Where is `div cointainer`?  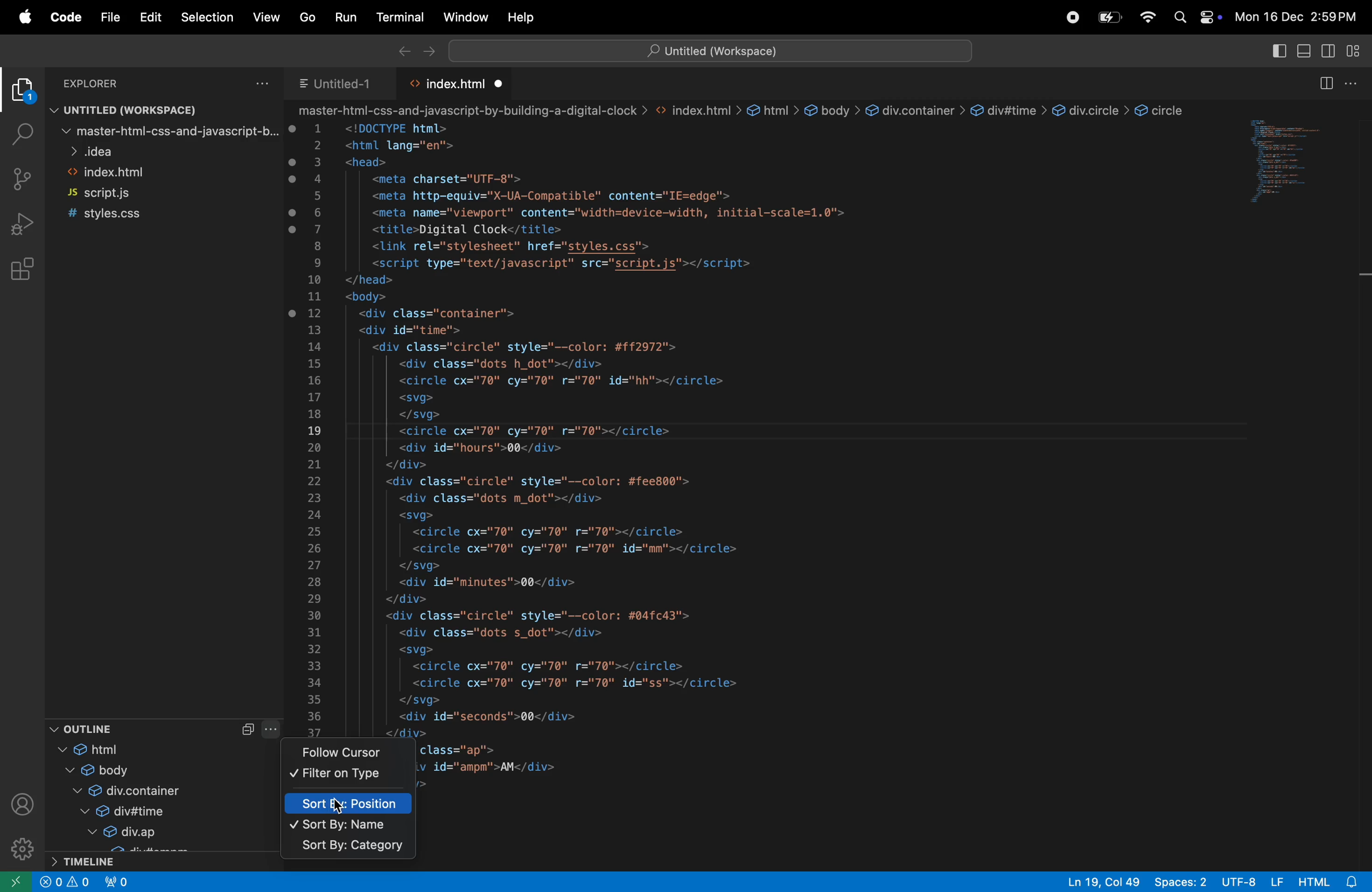 div cointainer is located at coordinates (153, 790).